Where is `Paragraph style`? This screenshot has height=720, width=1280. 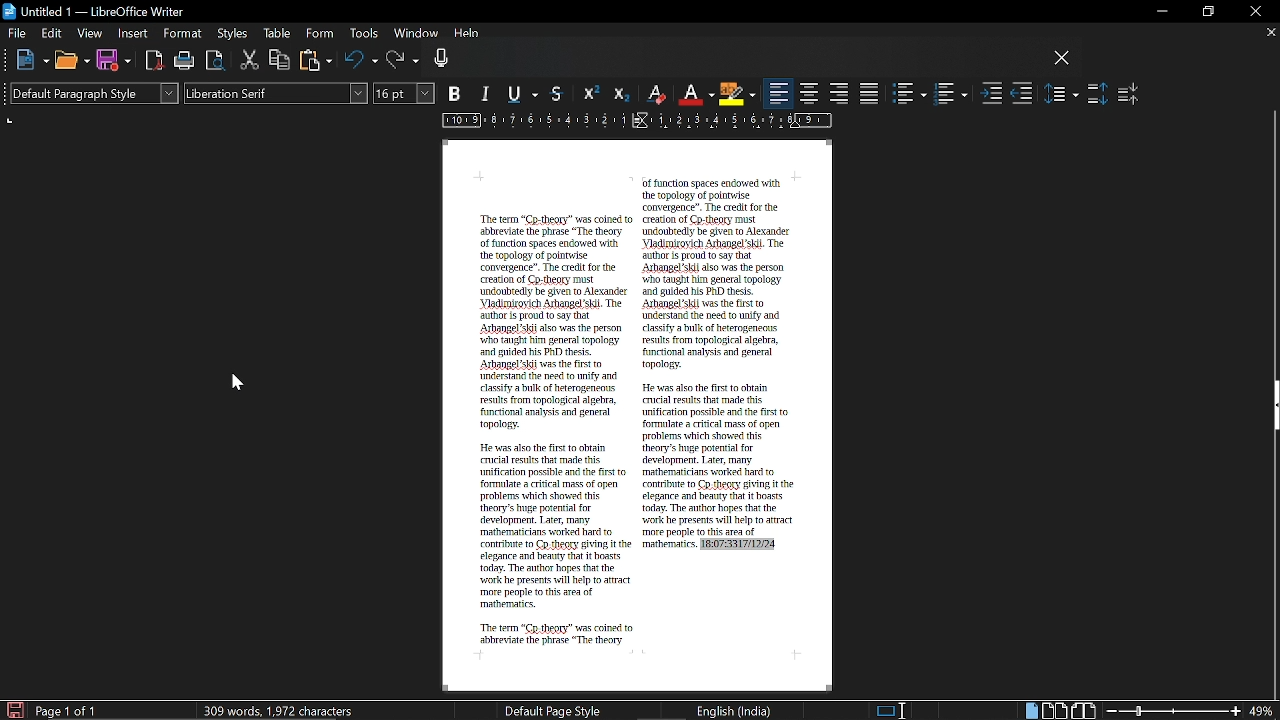 Paragraph style is located at coordinates (91, 93).